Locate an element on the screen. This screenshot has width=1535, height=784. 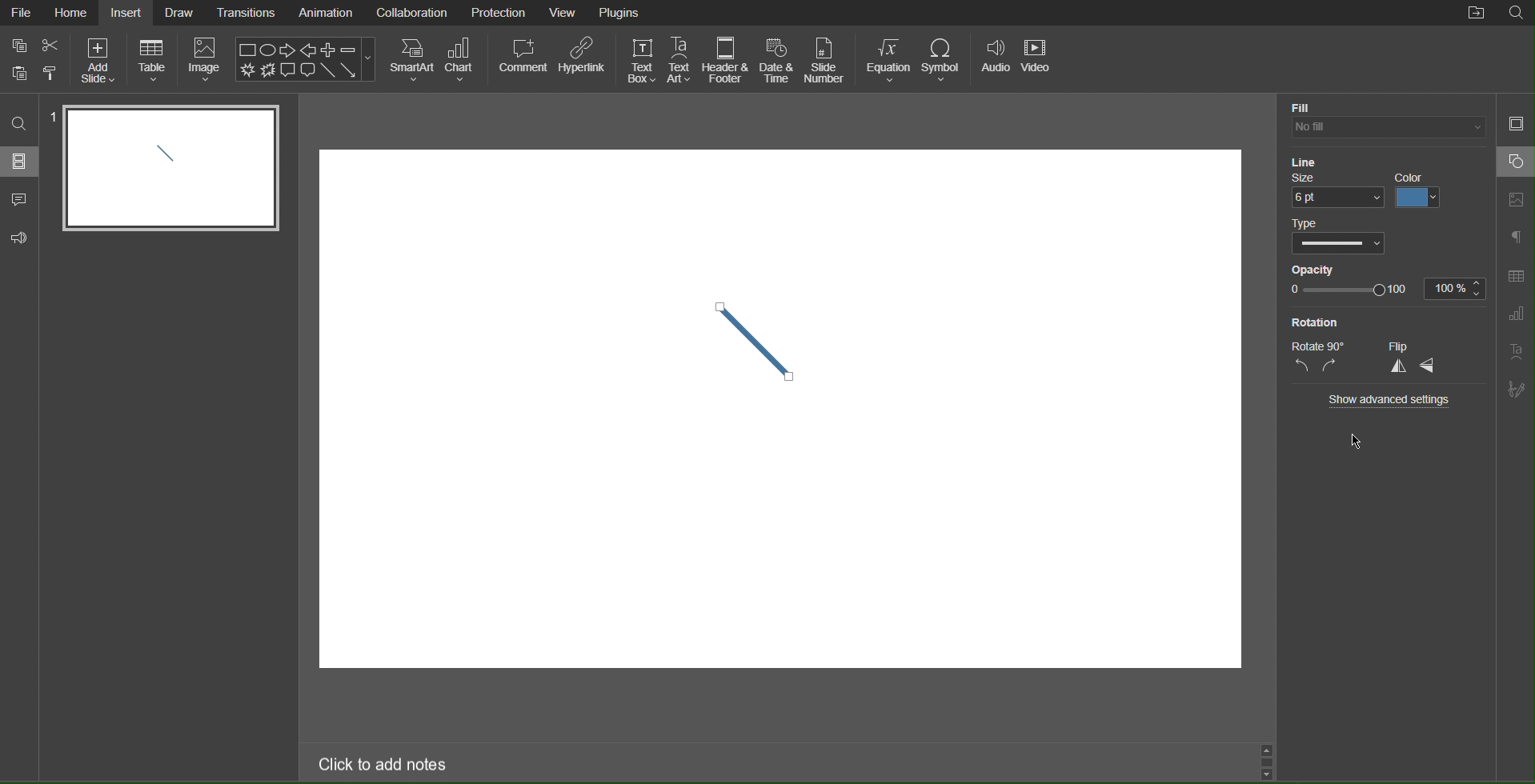
File  is located at coordinates (22, 14).